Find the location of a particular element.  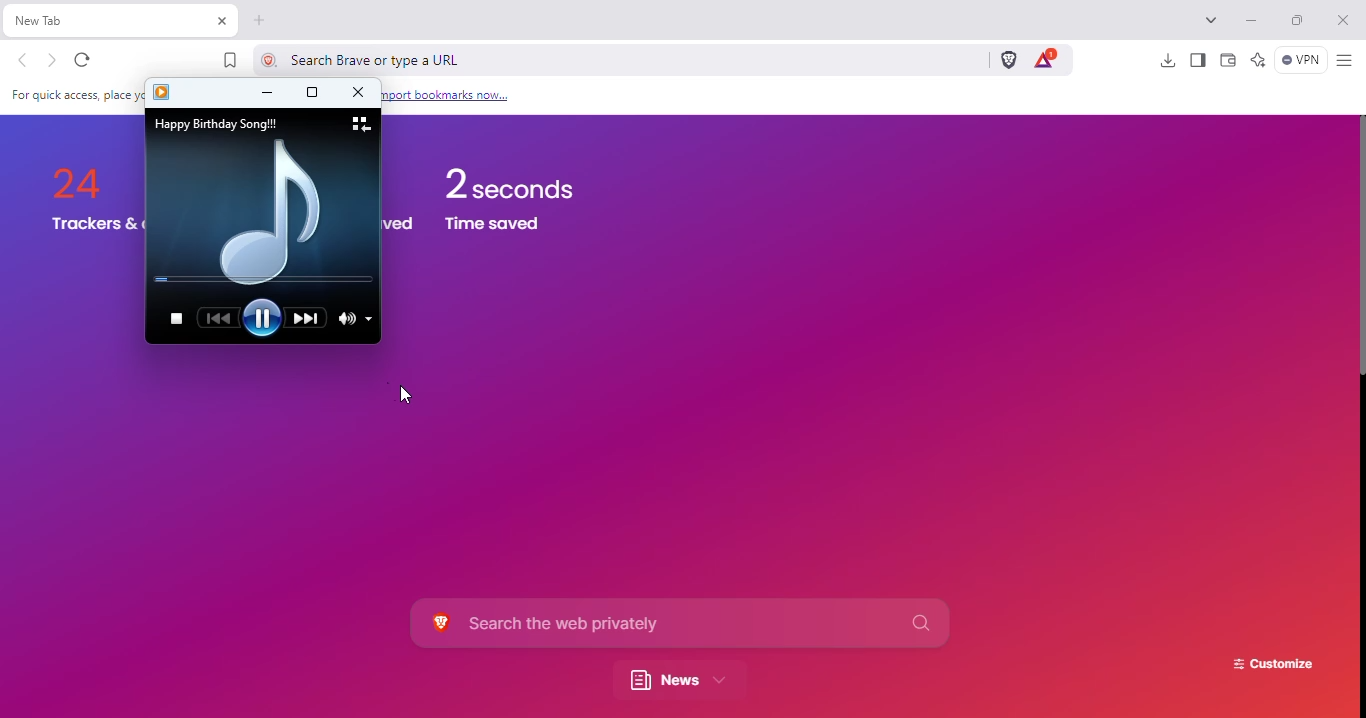

minimize is located at coordinates (1252, 21).